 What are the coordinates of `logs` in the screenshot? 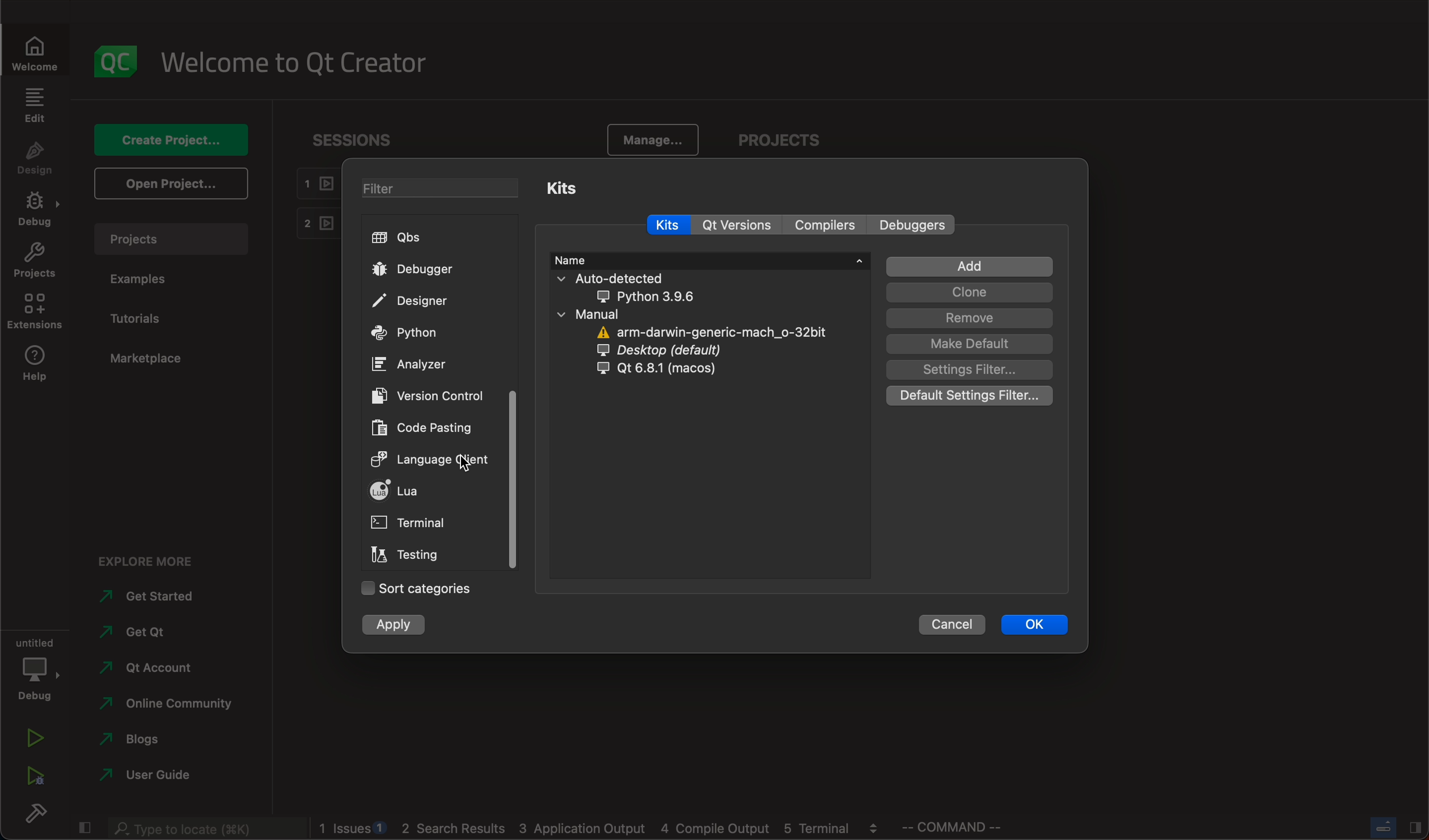 It's located at (602, 829).